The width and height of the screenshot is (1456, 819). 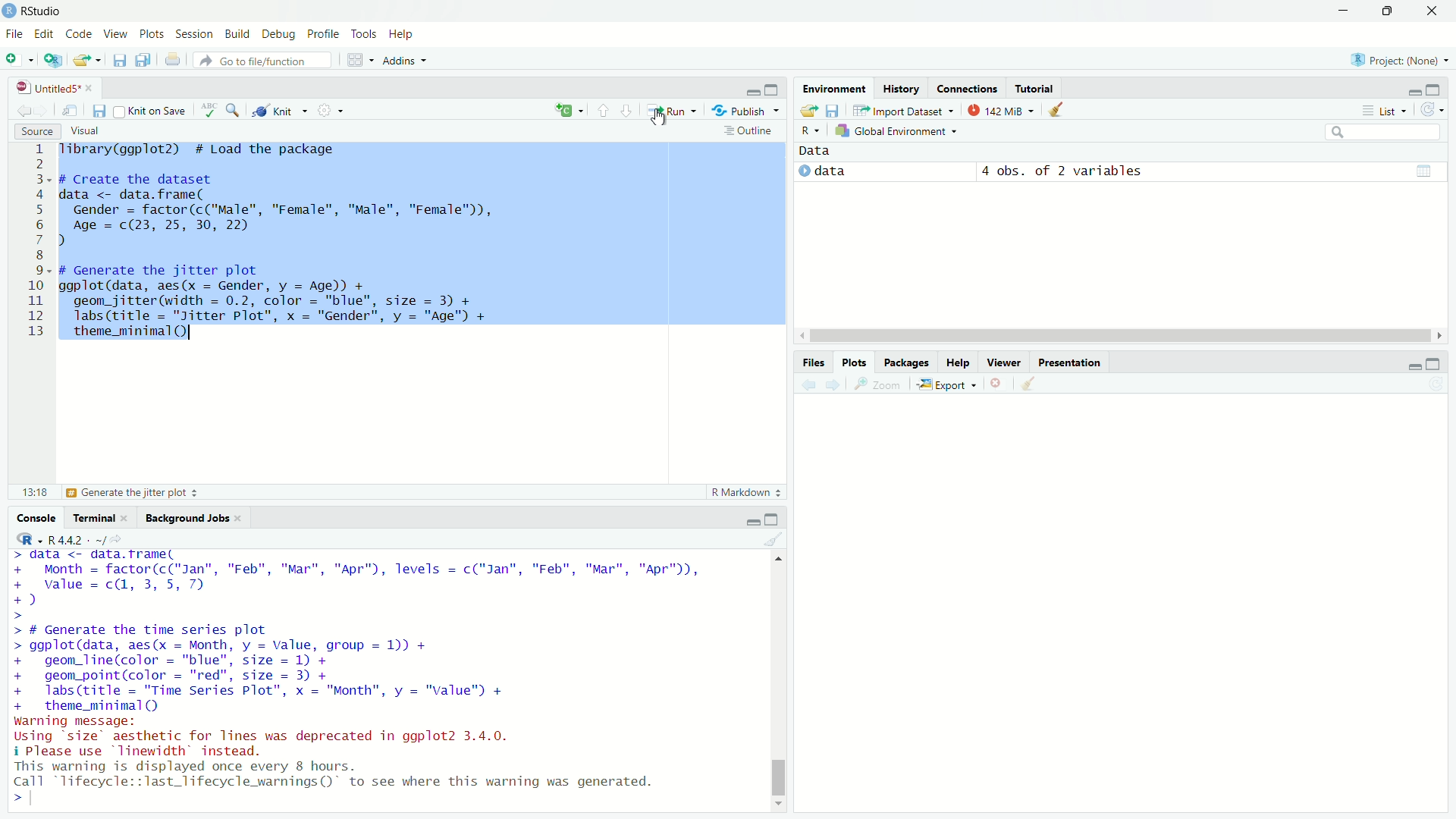 I want to click on library to load the package, so click(x=207, y=149).